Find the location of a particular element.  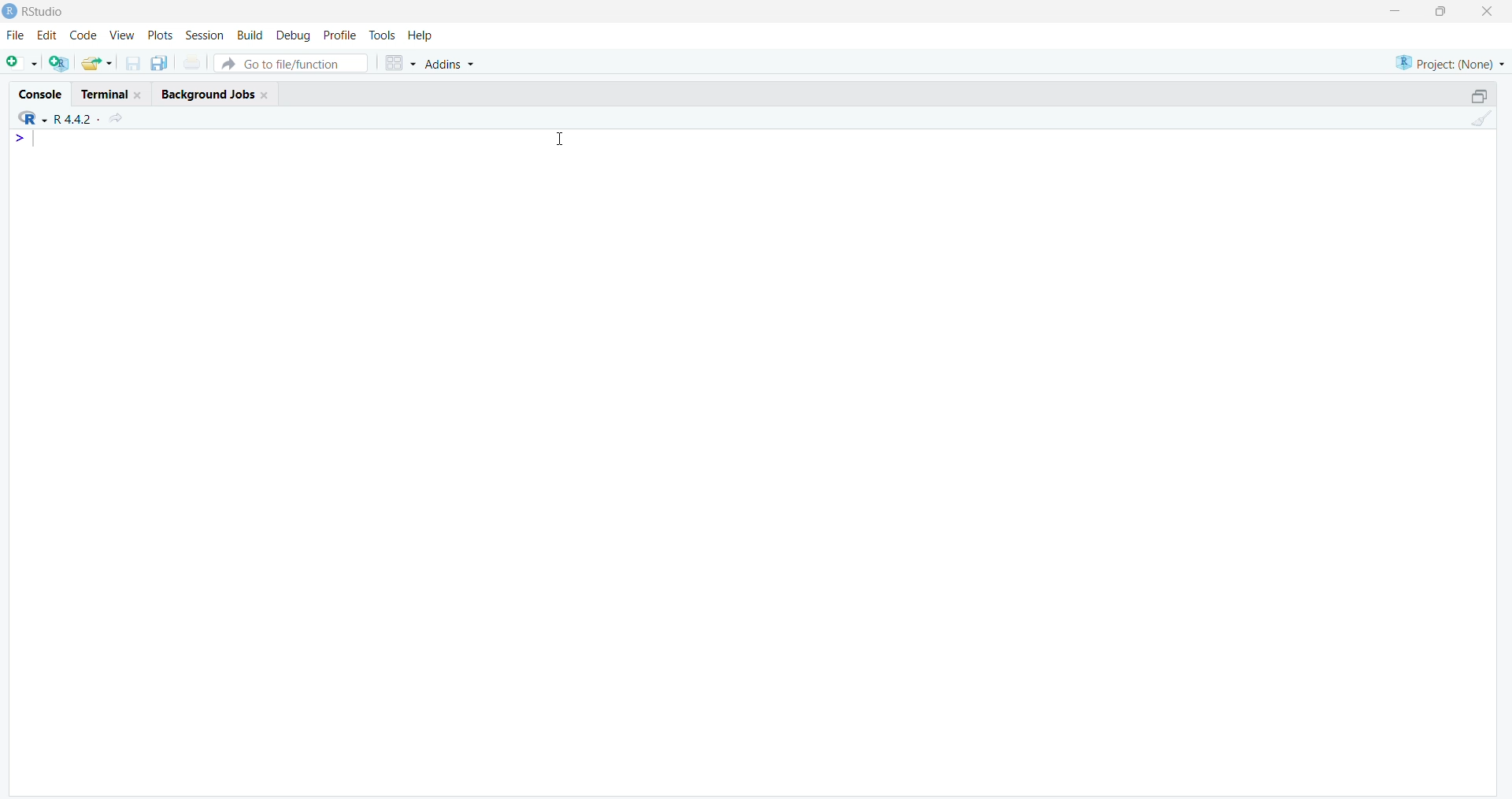

Create a project is located at coordinates (62, 61).